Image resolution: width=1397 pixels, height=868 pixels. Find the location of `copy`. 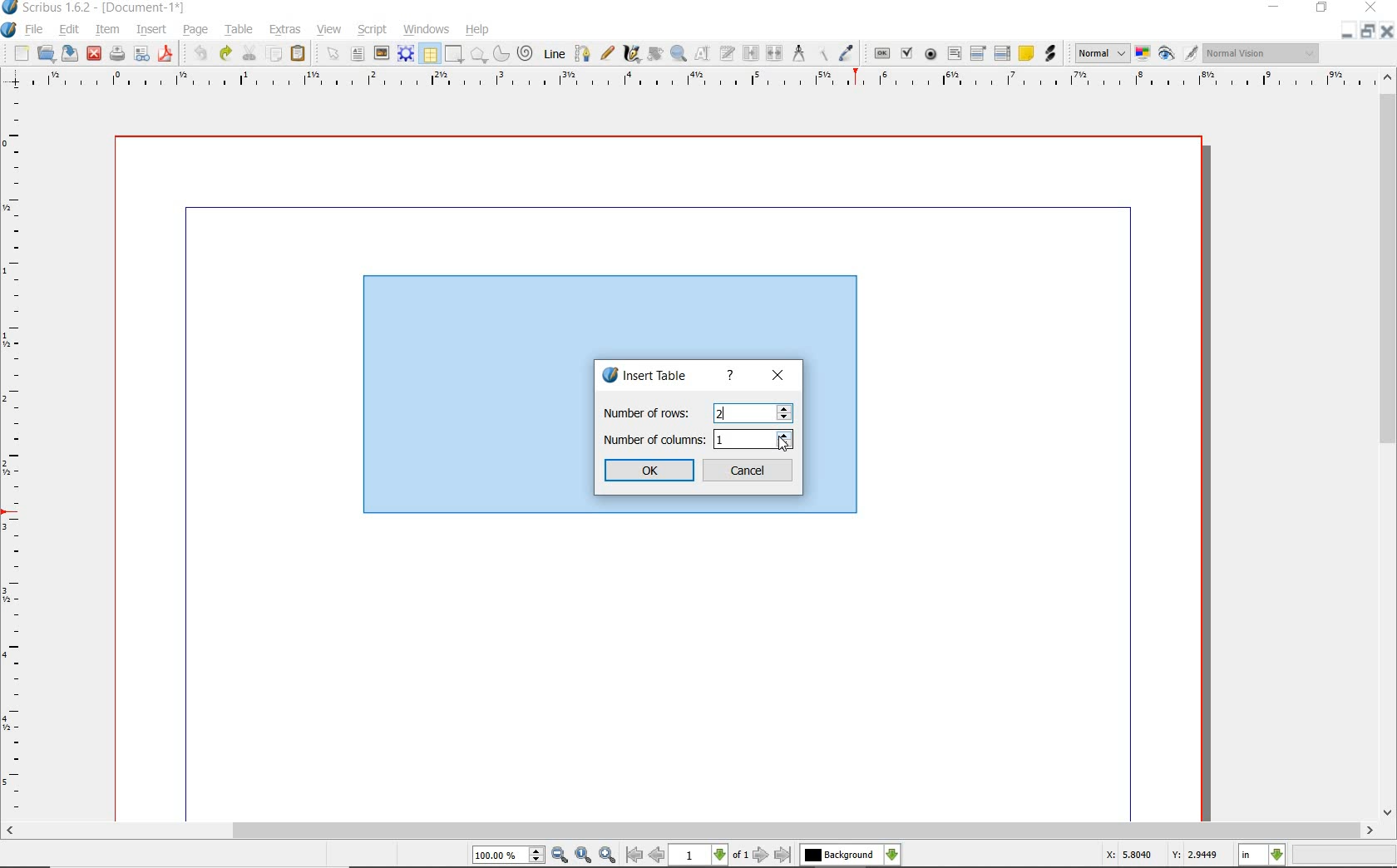

copy is located at coordinates (275, 55).